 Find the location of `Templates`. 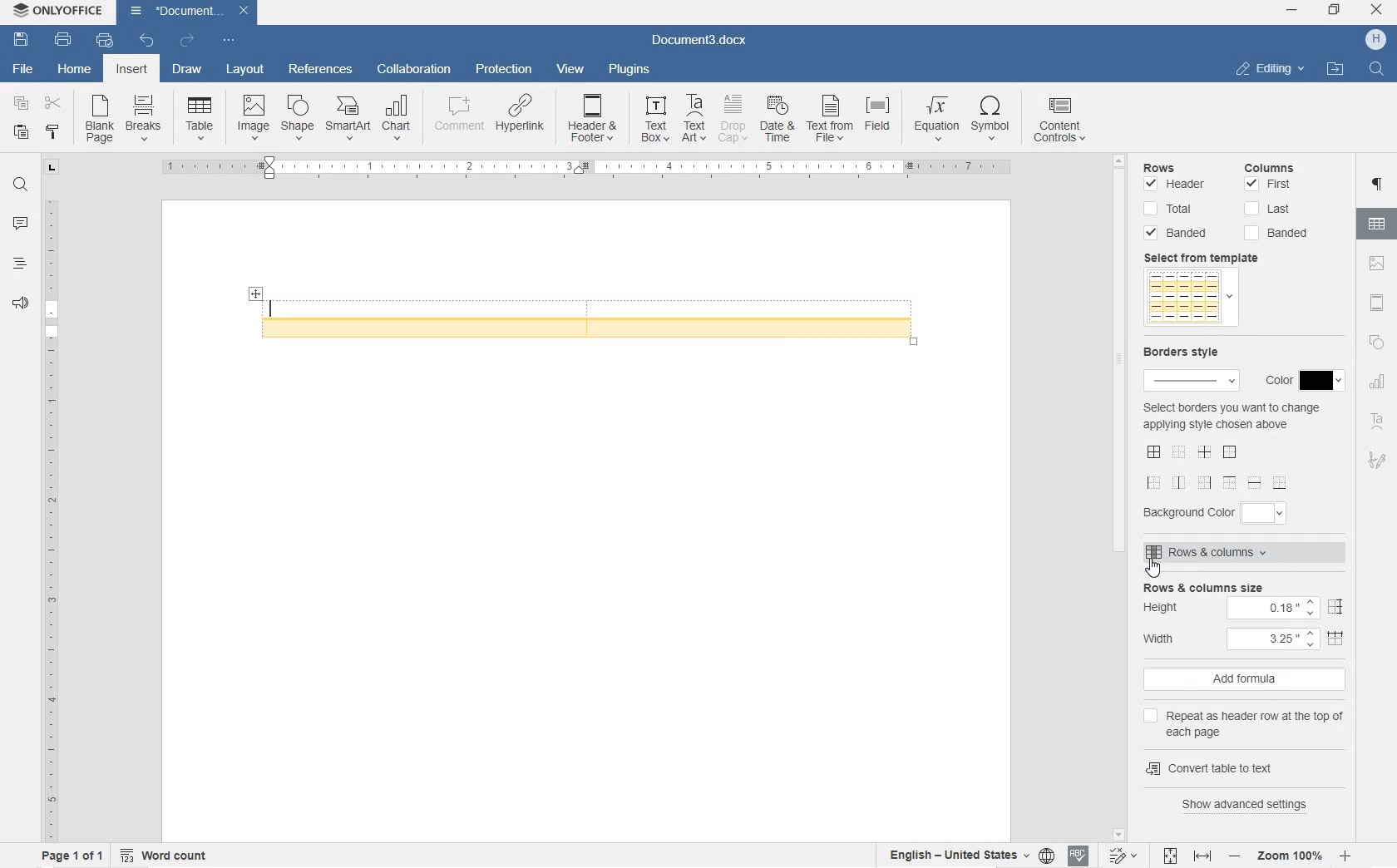

Templates is located at coordinates (1188, 298).